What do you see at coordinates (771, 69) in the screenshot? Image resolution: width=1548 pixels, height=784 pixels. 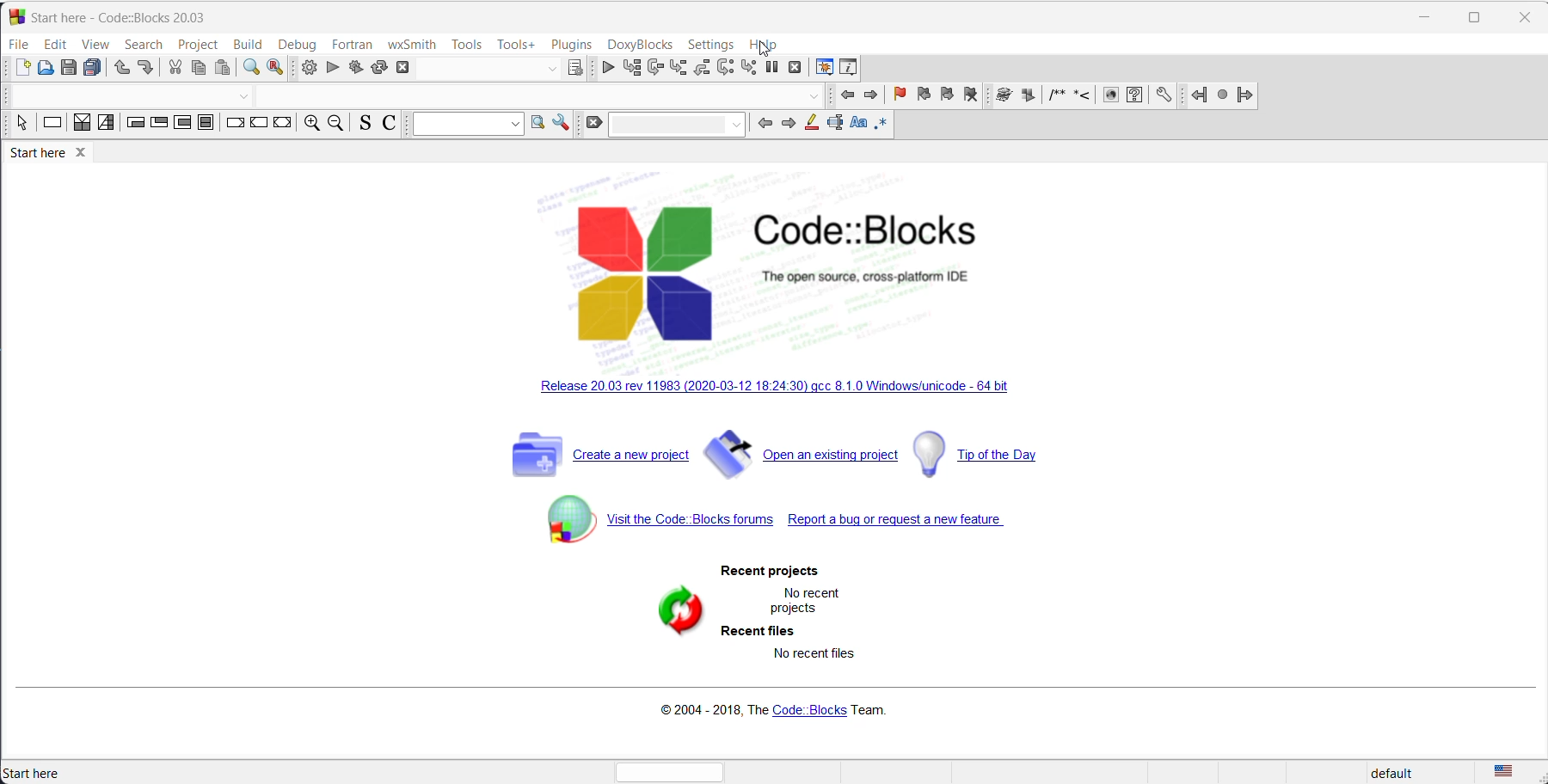 I see `break debugging` at bounding box center [771, 69].